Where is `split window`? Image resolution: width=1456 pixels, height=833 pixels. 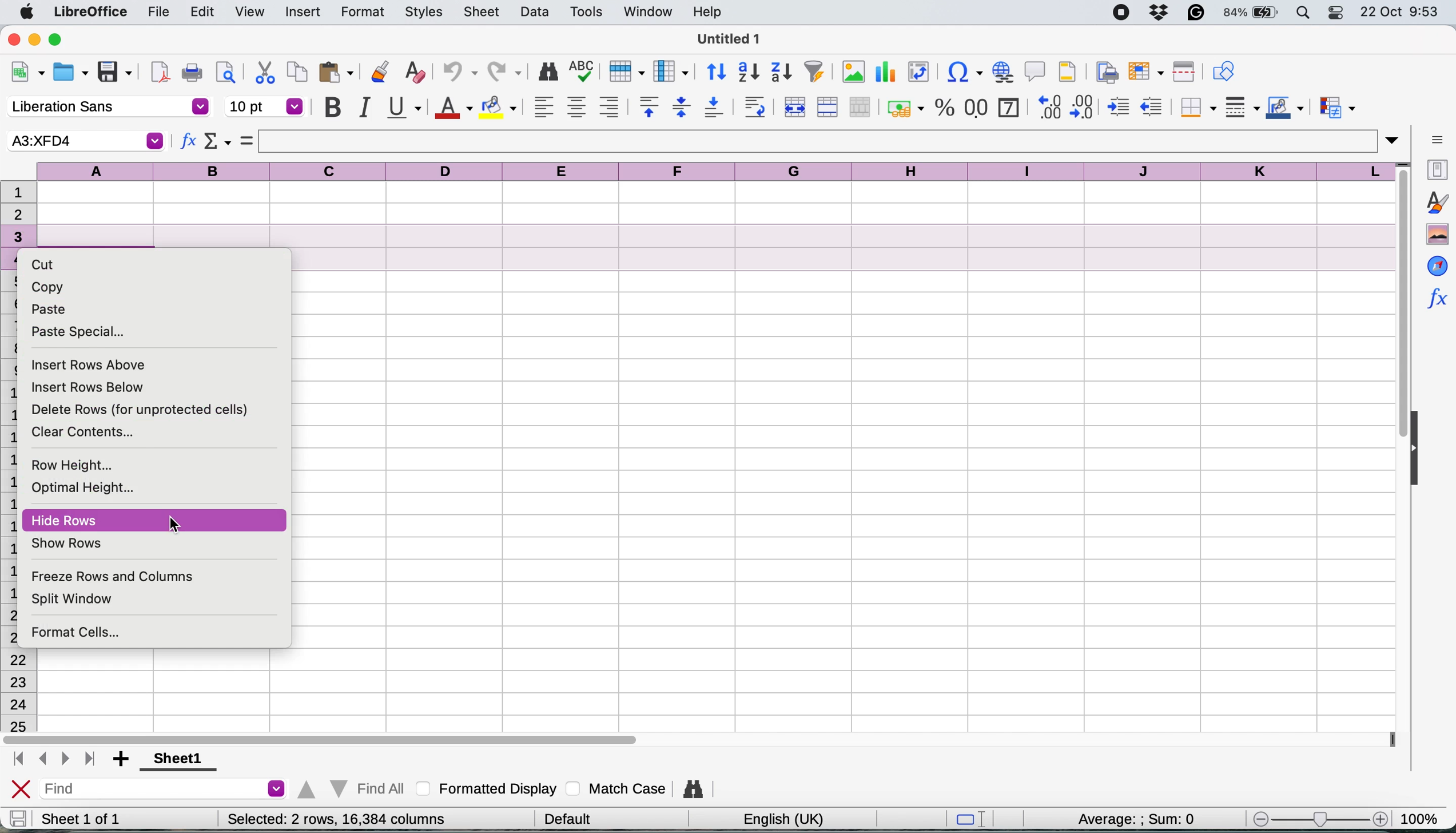
split window is located at coordinates (81, 599).